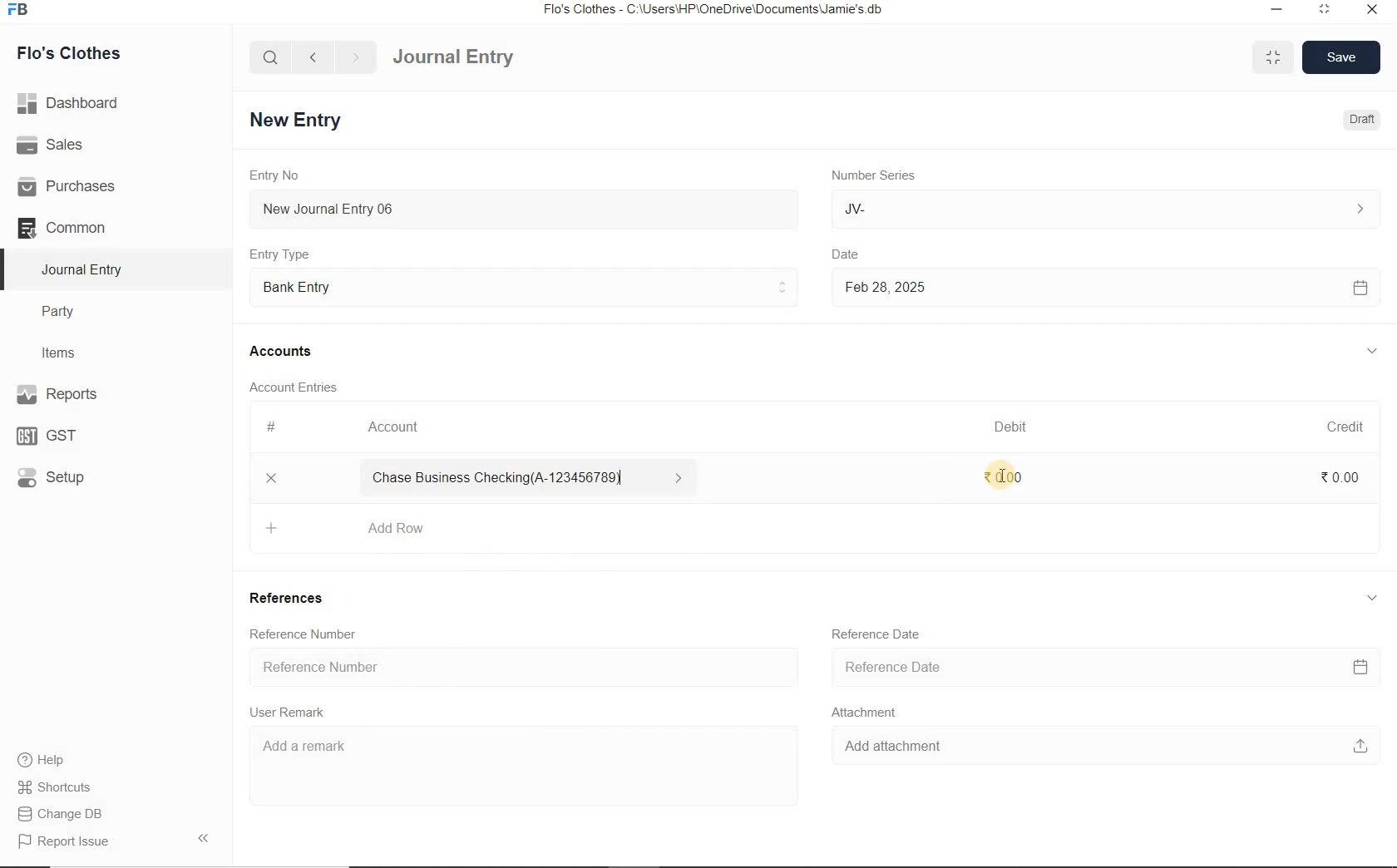  I want to click on ₹ 0.00, so click(1006, 478).